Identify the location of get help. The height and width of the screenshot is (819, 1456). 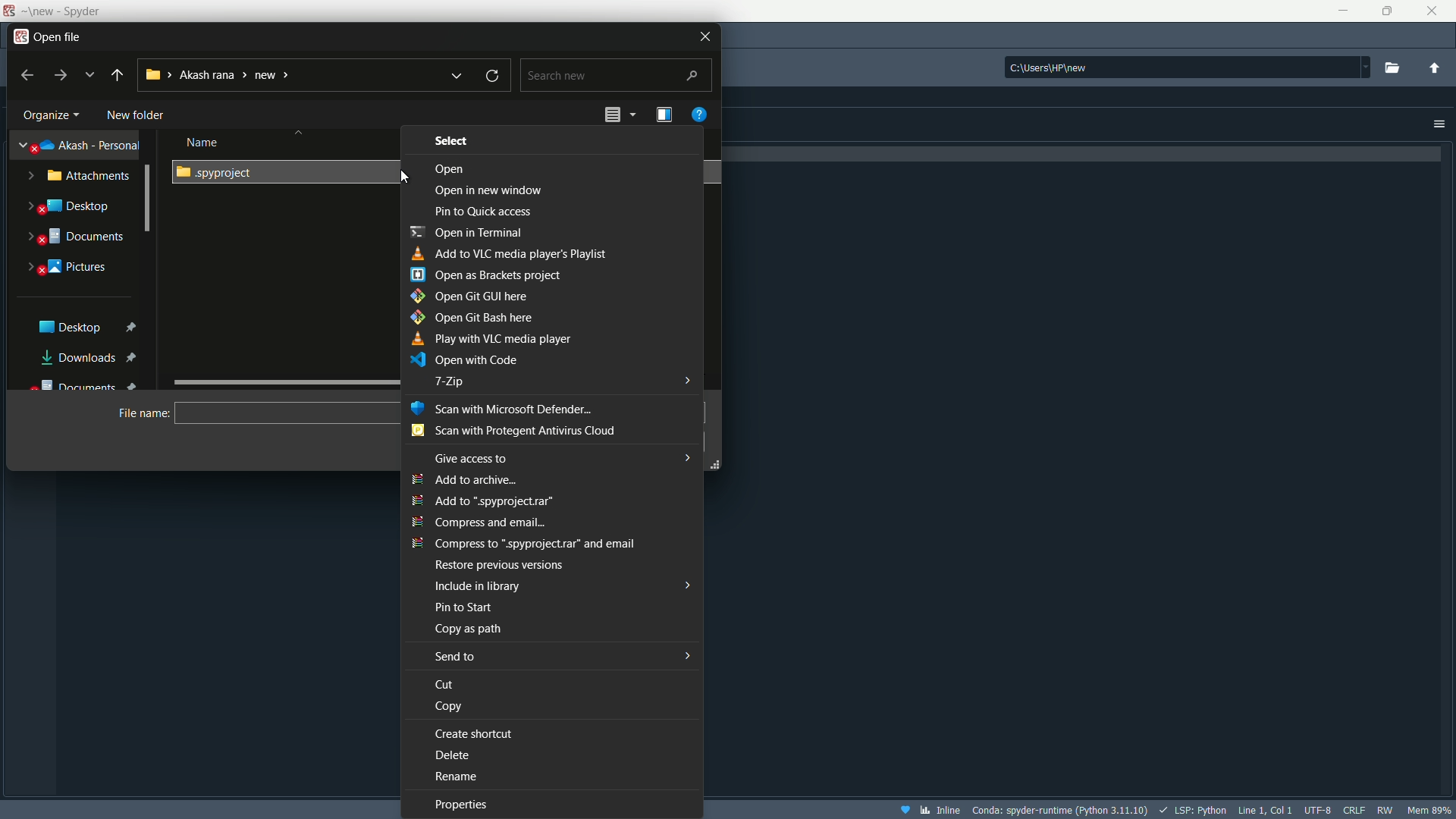
(702, 115).